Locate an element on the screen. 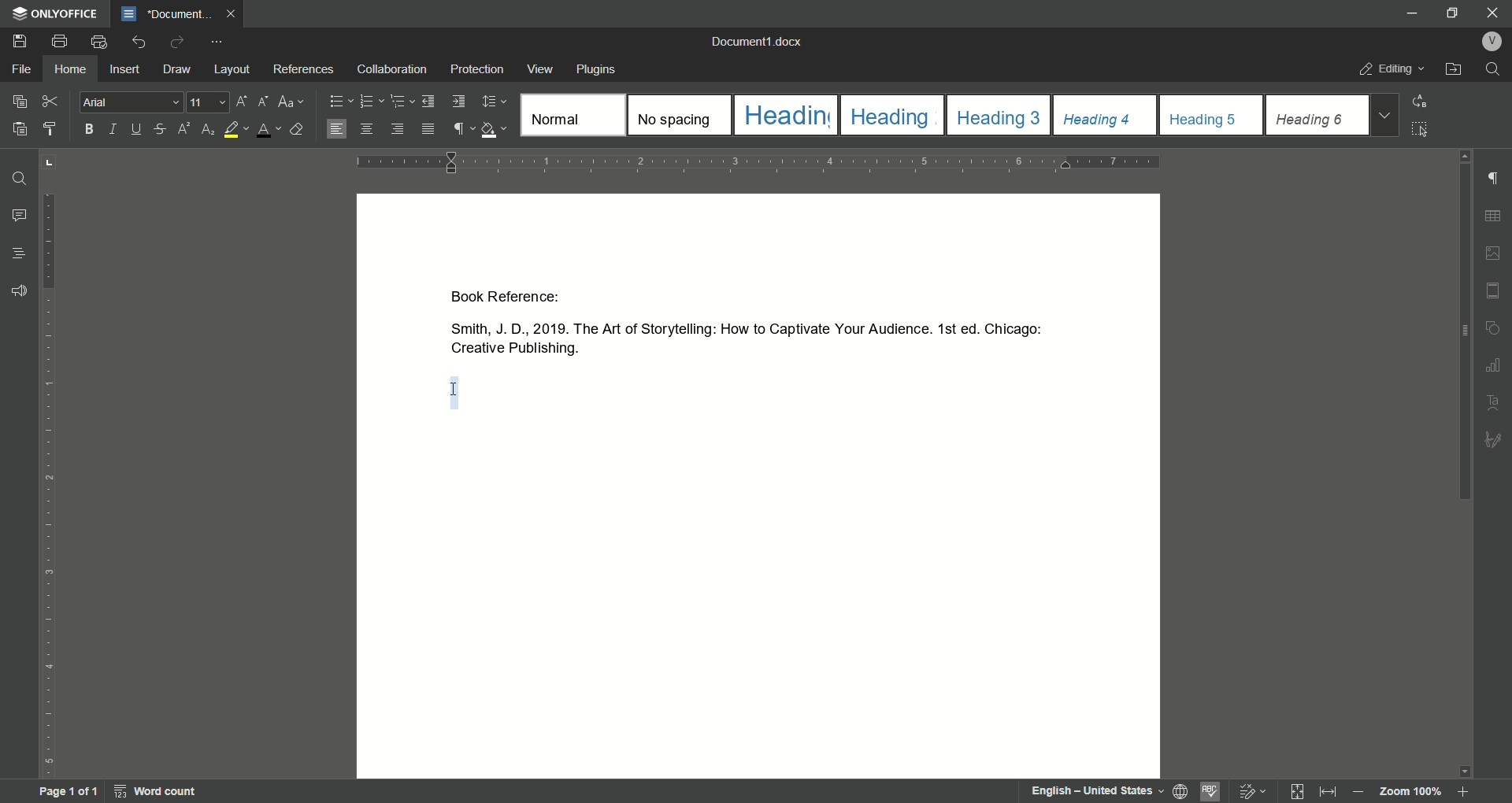  comment is located at coordinates (20, 216).